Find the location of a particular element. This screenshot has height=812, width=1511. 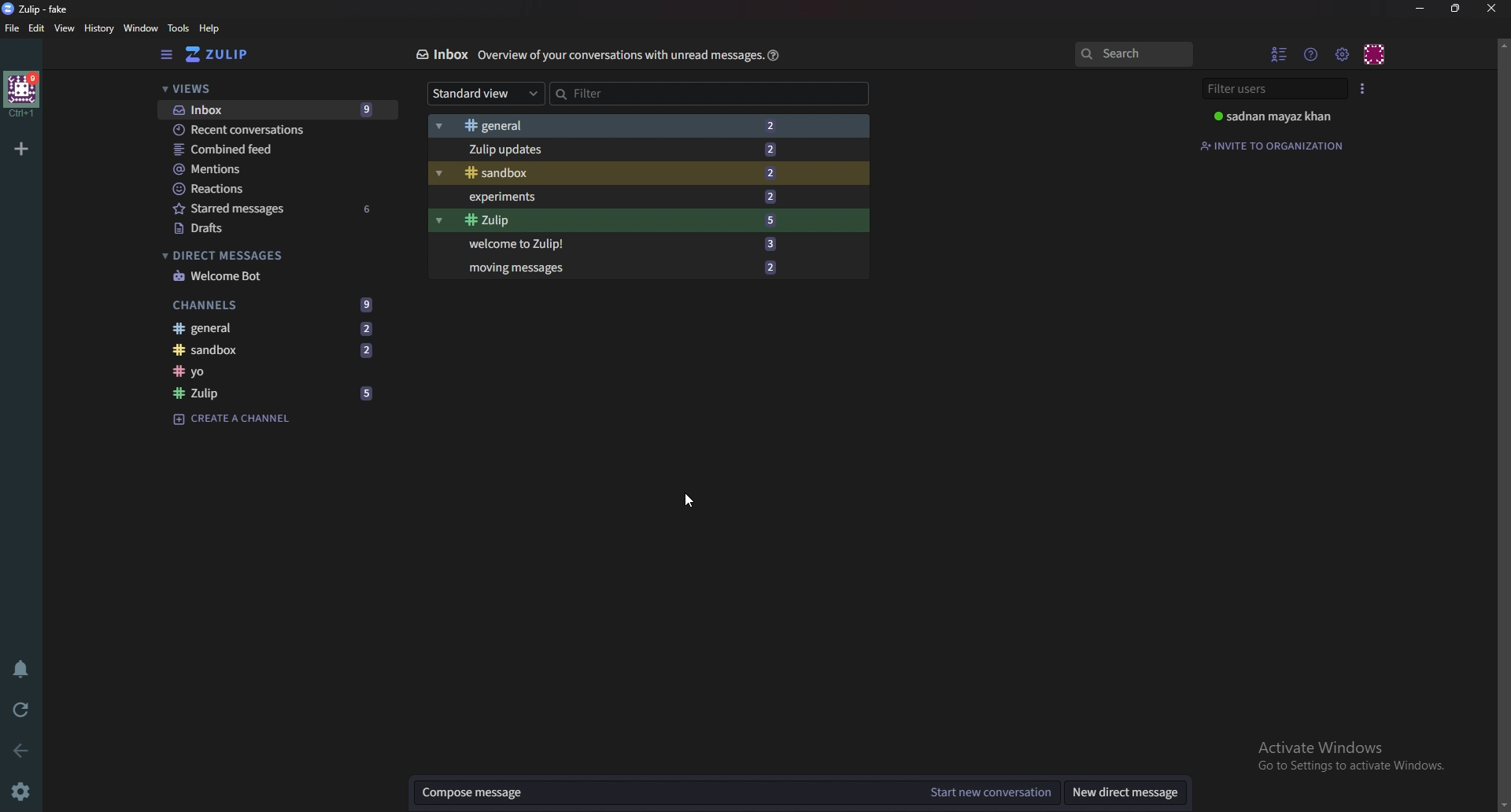

add Organization is located at coordinates (21, 149).